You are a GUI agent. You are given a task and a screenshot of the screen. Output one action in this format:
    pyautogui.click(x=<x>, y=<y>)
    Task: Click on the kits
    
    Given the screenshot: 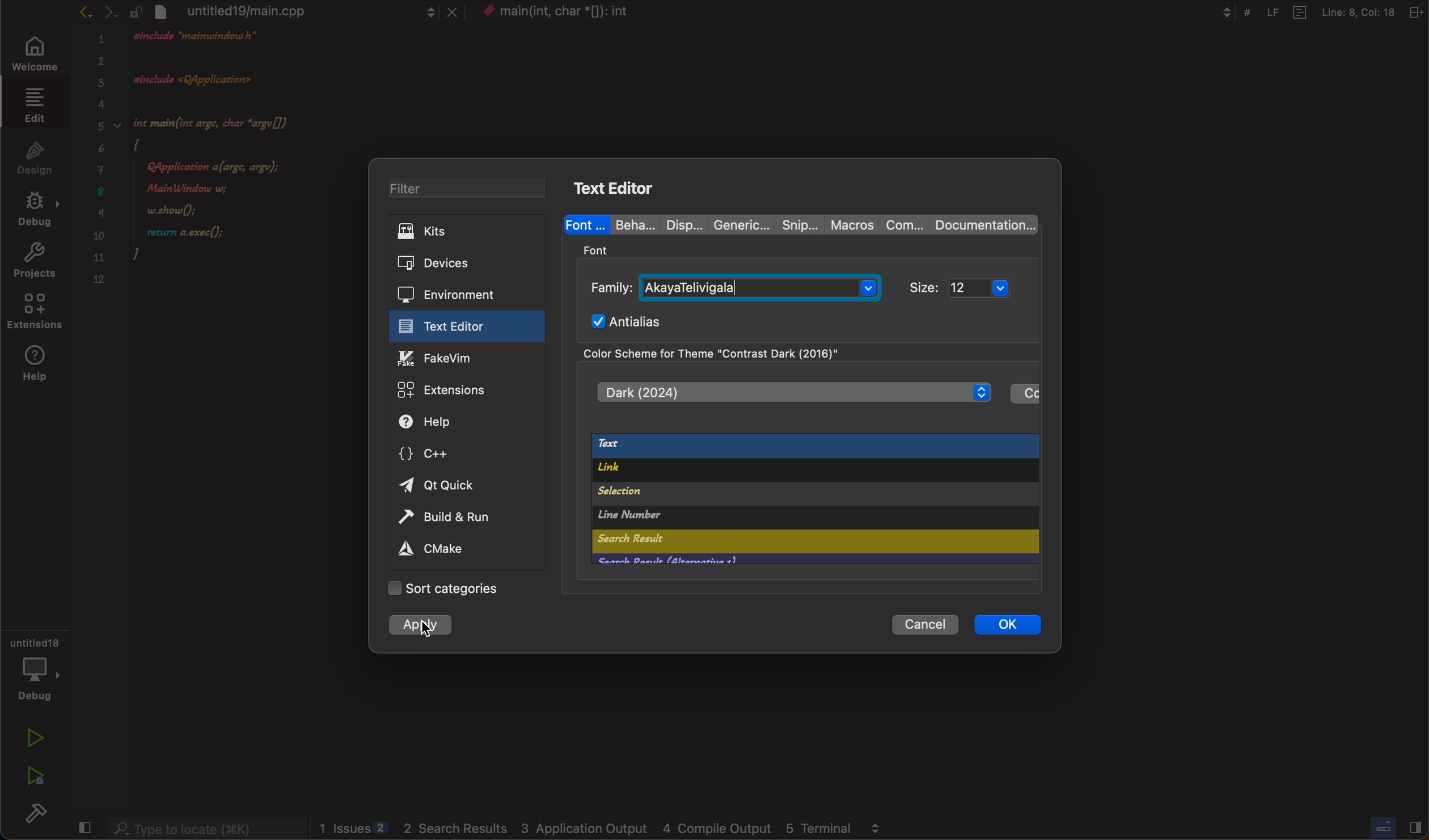 What is the action you would take?
    pyautogui.click(x=467, y=231)
    